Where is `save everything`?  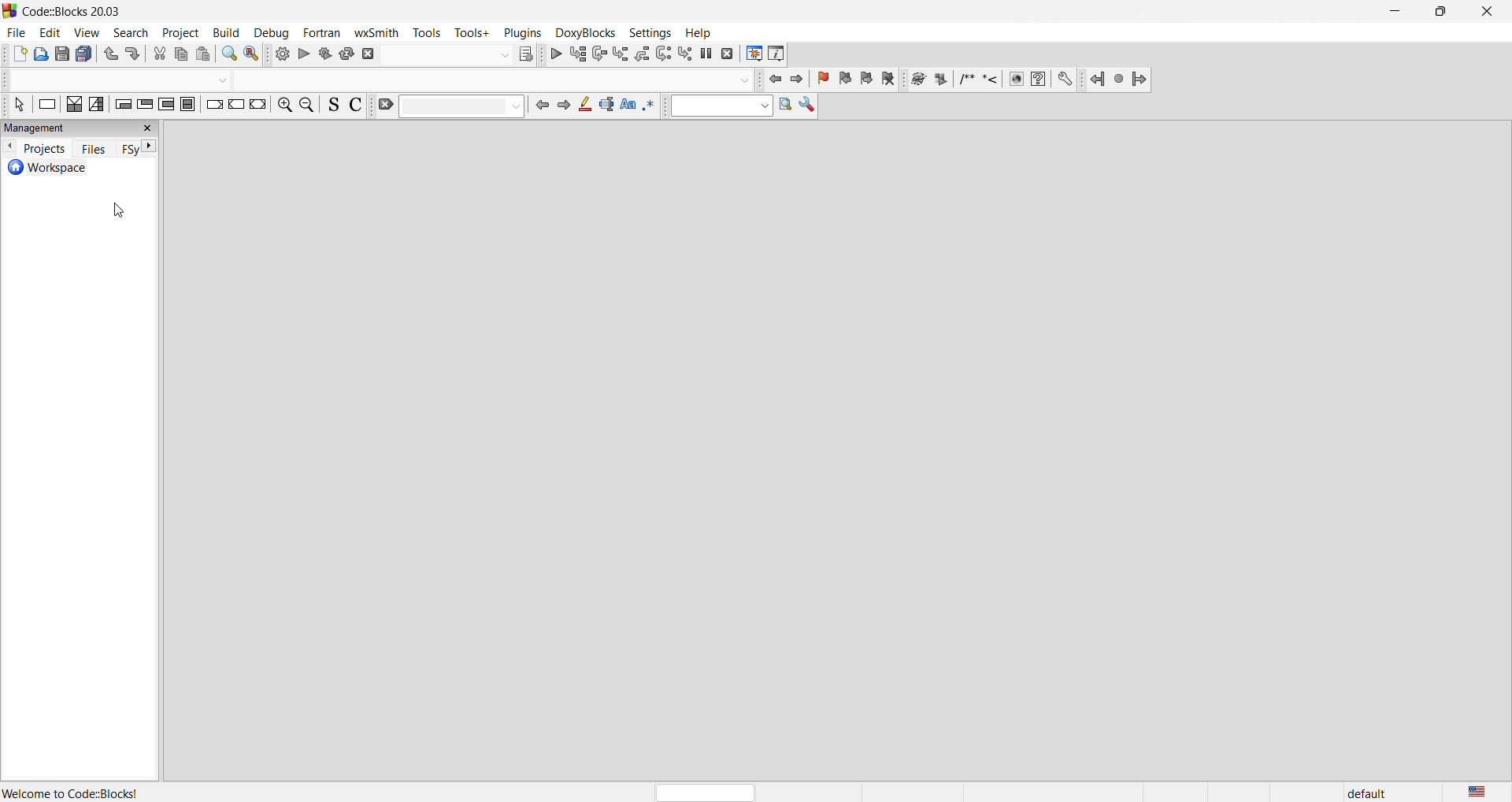
save everything is located at coordinates (86, 54).